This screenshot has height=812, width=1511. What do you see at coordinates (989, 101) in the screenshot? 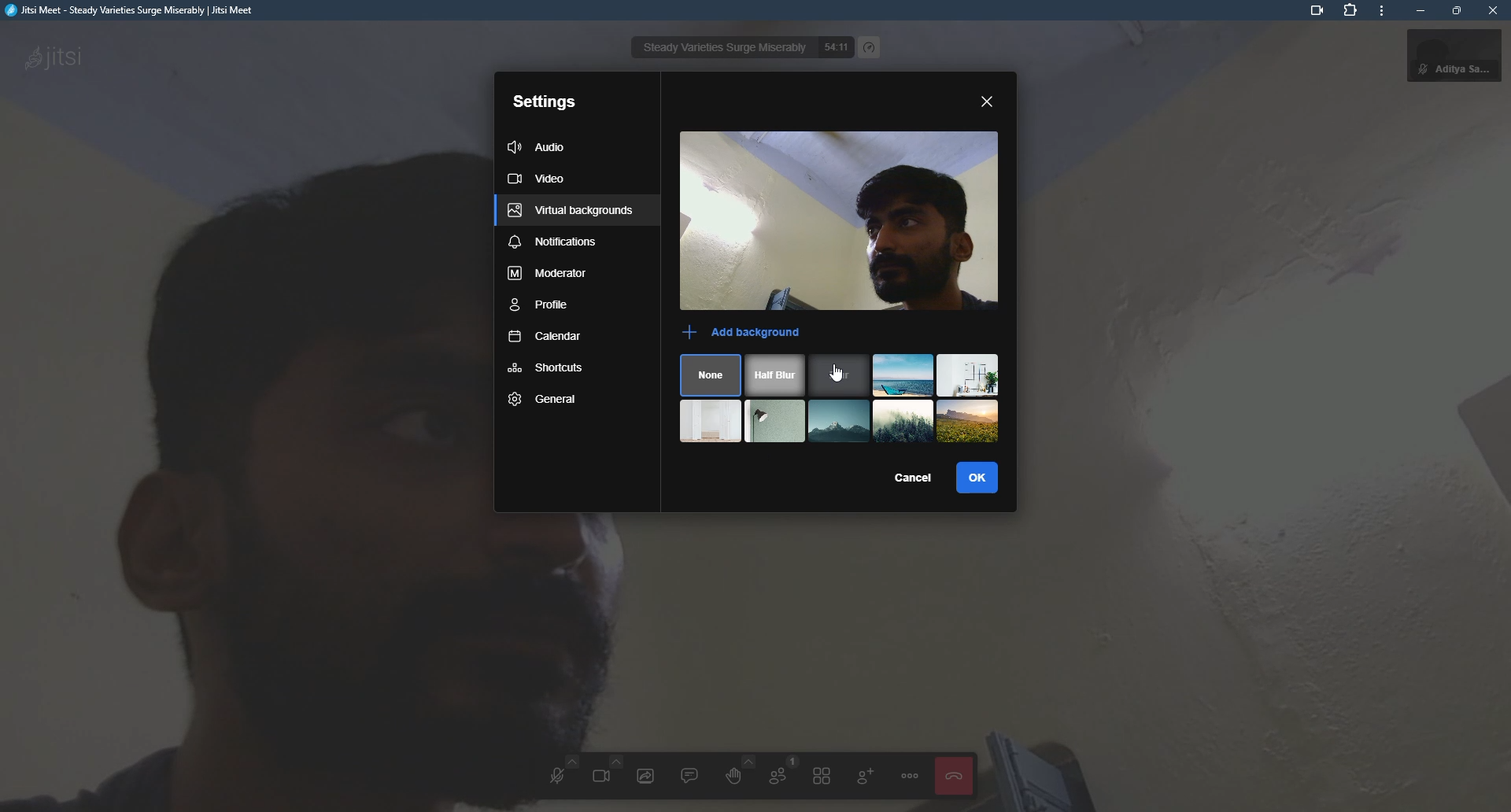
I see `close` at bounding box center [989, 101].